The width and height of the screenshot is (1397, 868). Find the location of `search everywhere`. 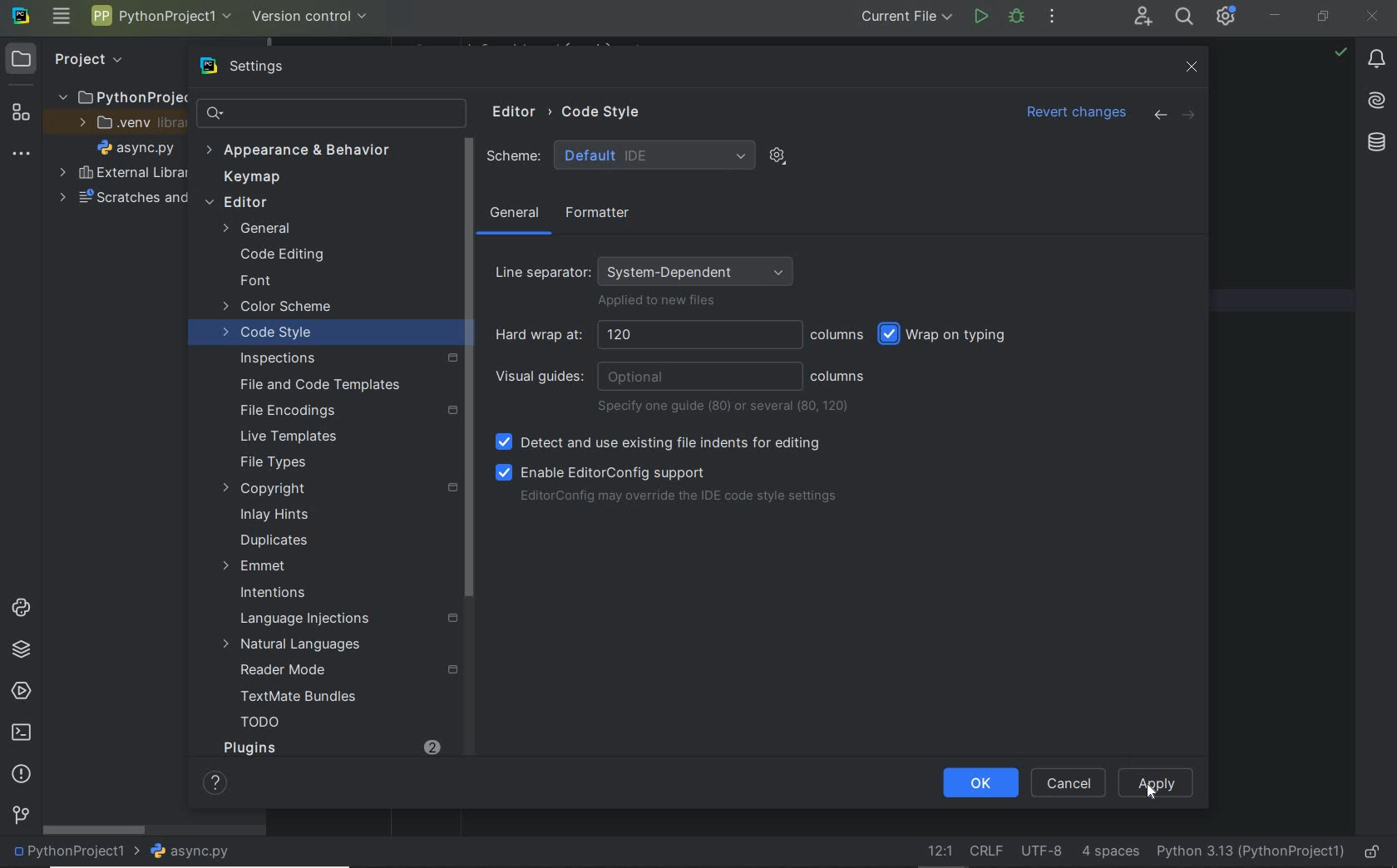

search everywhere is located at coordinates (1186, 18).